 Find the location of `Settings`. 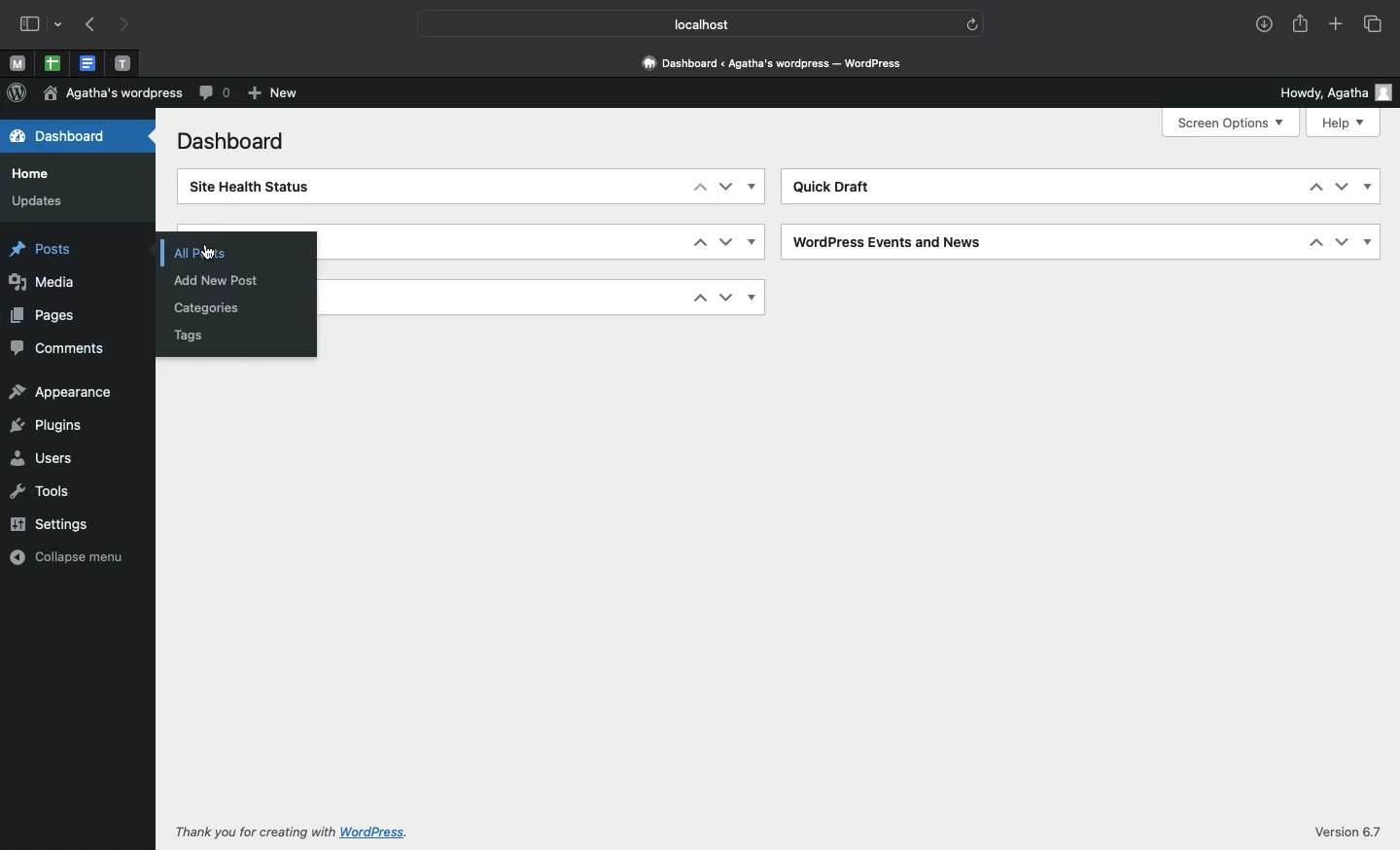

Settings is located at coordinates (54, 522).